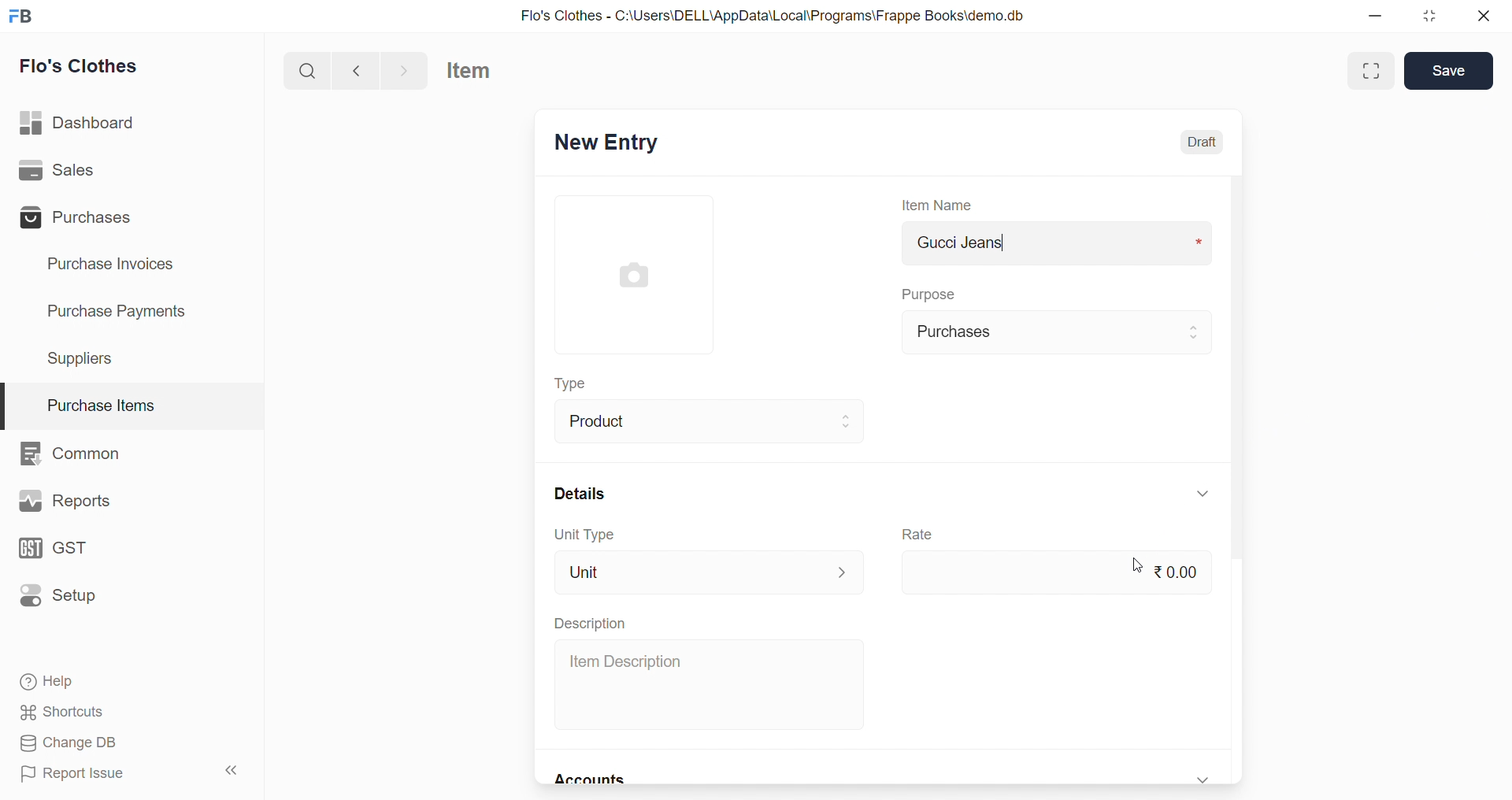 Image resolution: width=1512 pixels, height=800 pixels. Describe the element at coordinates (124, 743) in the screenshot. I see `Change DB` at that location.